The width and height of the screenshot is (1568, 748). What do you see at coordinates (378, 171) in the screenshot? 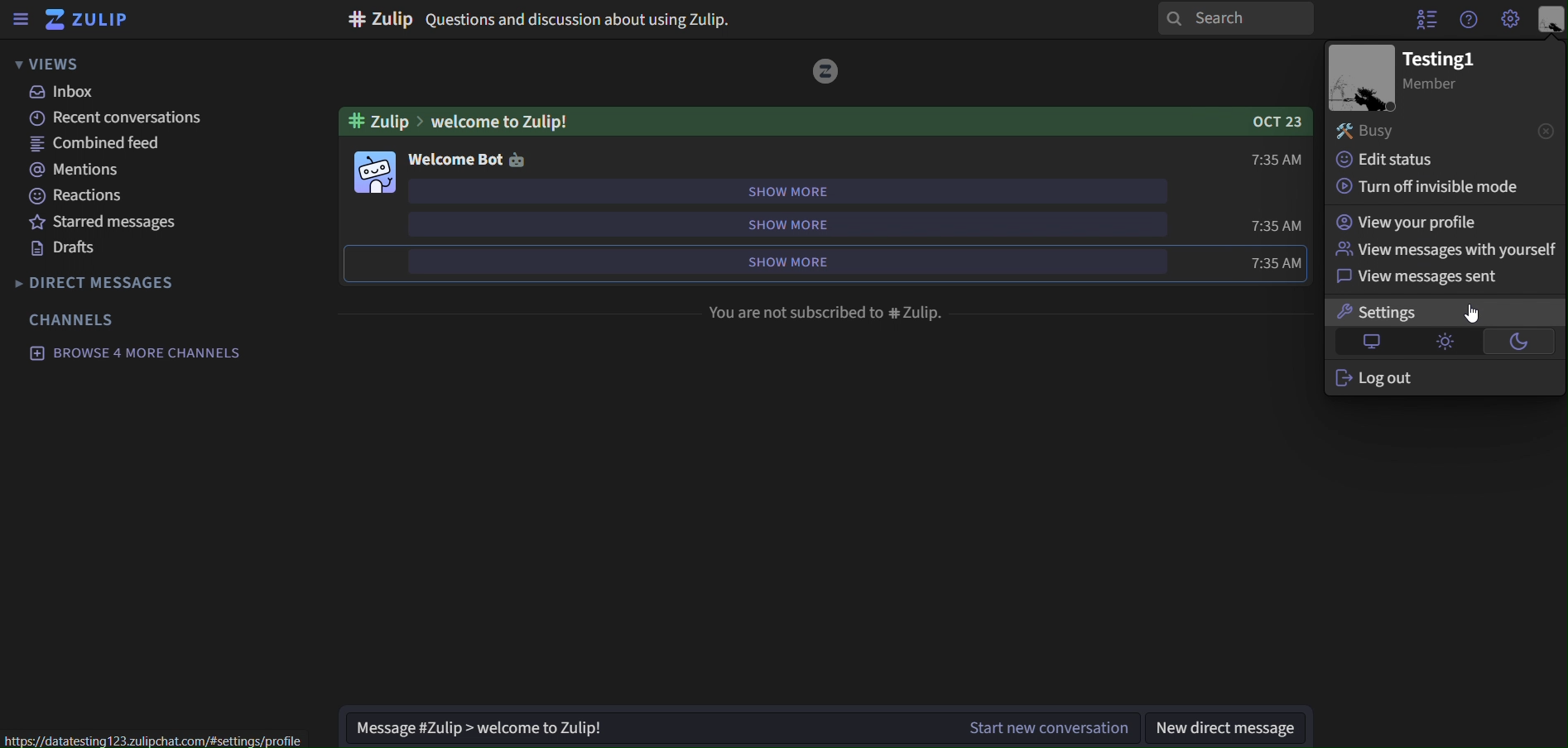
I see `image` at bounding box center [378, 171].